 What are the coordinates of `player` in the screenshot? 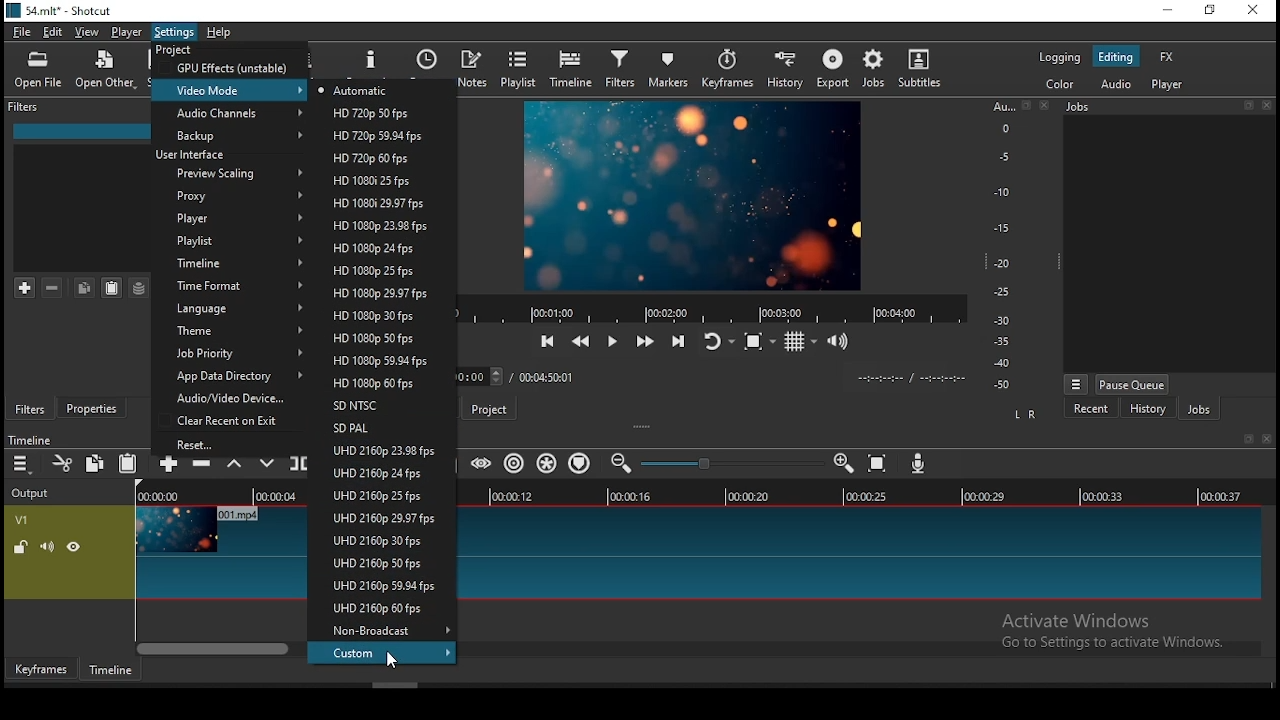 It's located at (1170, 85).